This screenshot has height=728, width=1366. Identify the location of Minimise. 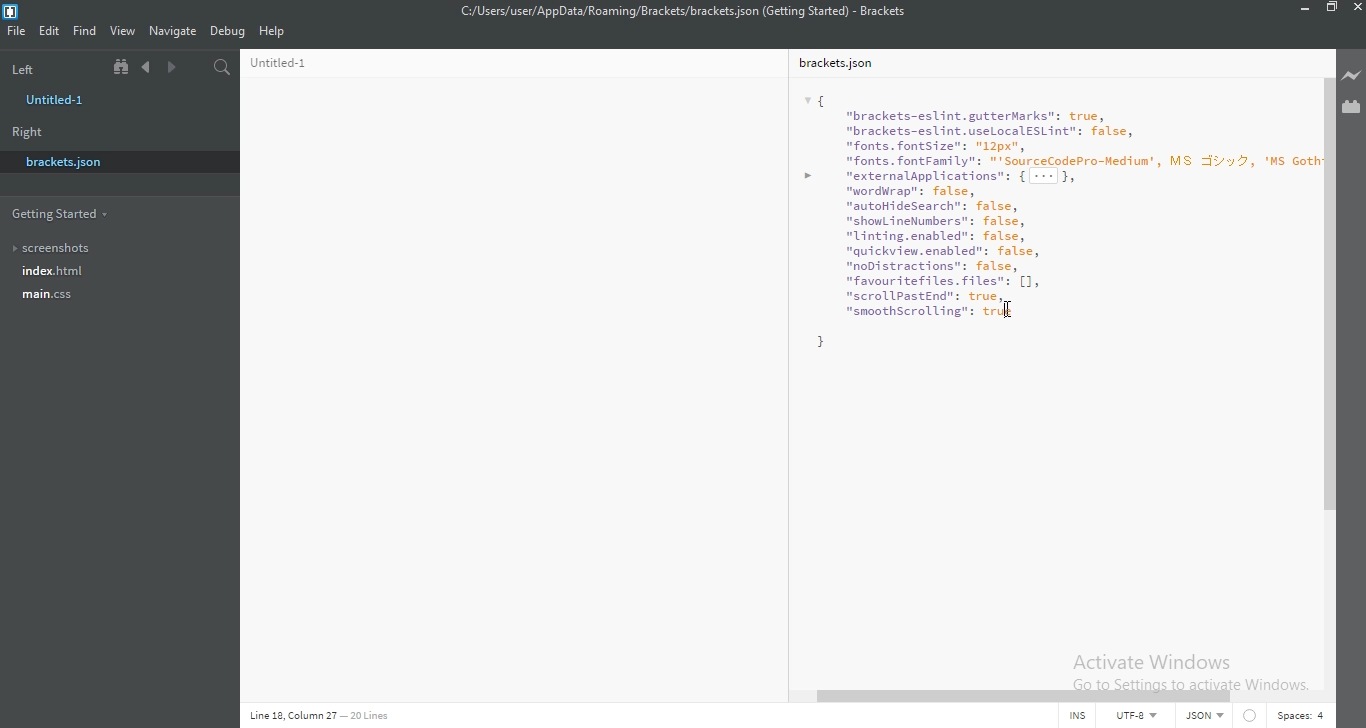
(1303, 10).